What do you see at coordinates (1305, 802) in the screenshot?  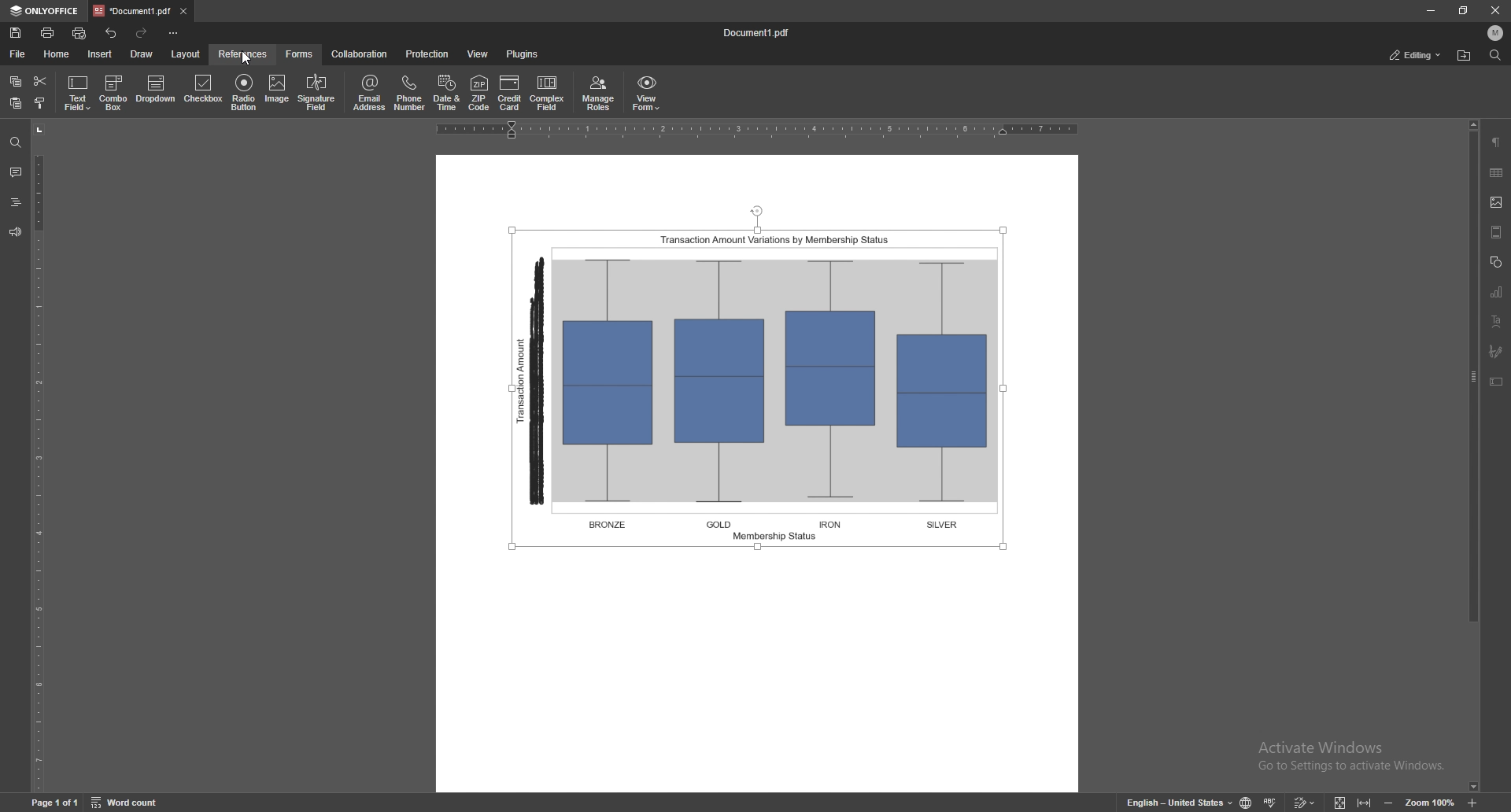 I see `track changes` at bounding box center [1305, 802].